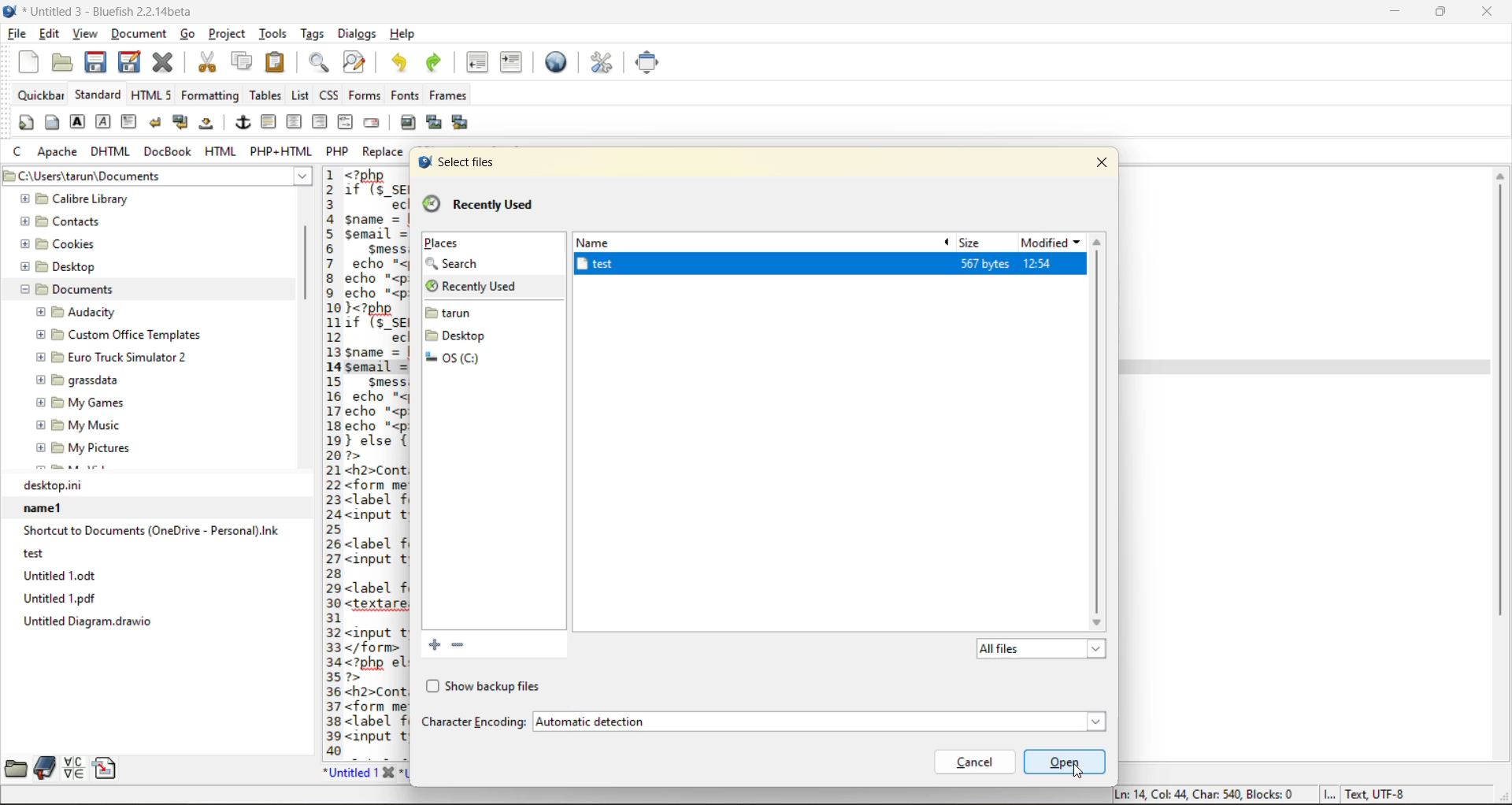  Describe the element at coordinates (18, 35) in the screenshot. I see `file` at that location.